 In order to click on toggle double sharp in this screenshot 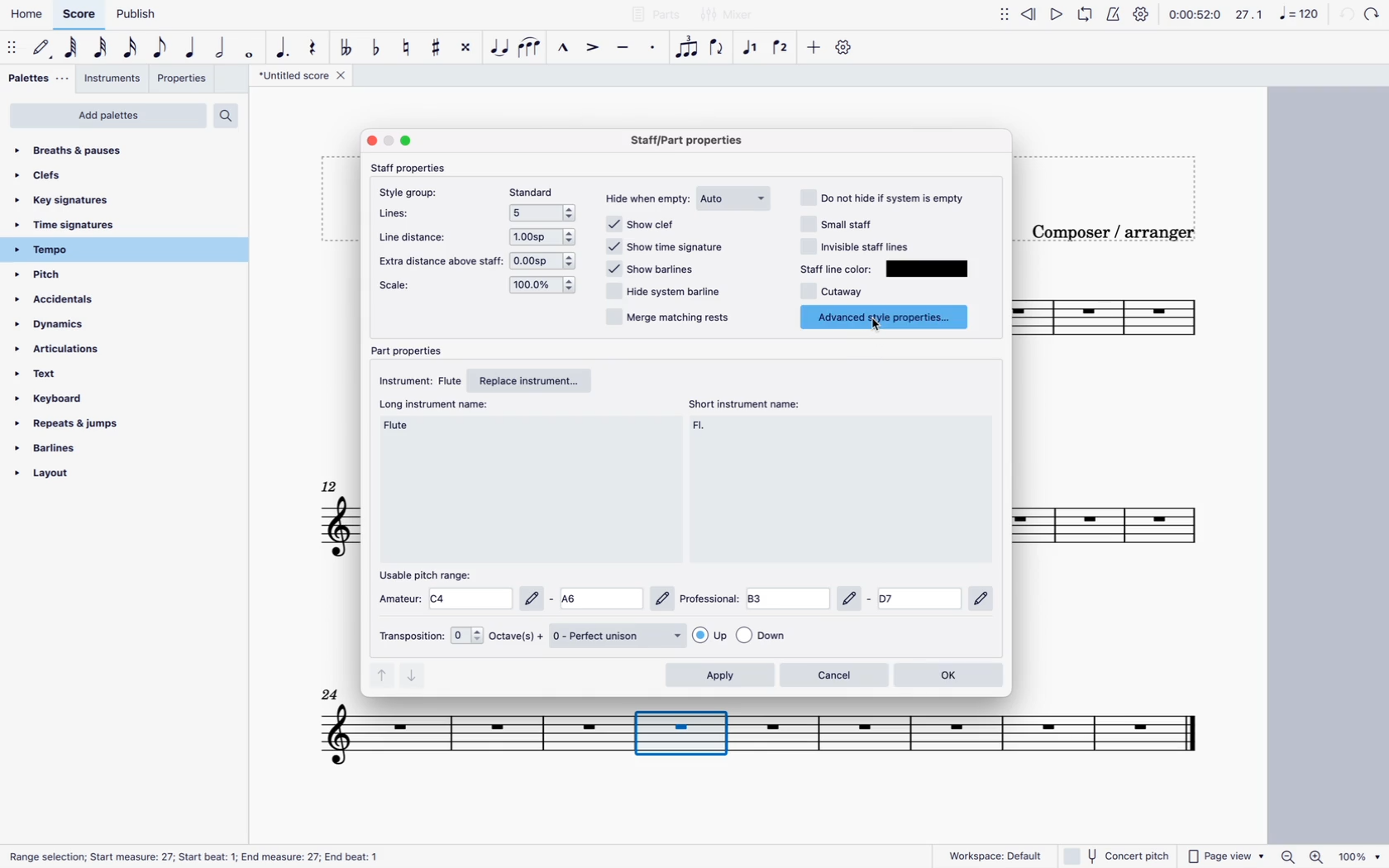, I will do `click(464, 47)`.